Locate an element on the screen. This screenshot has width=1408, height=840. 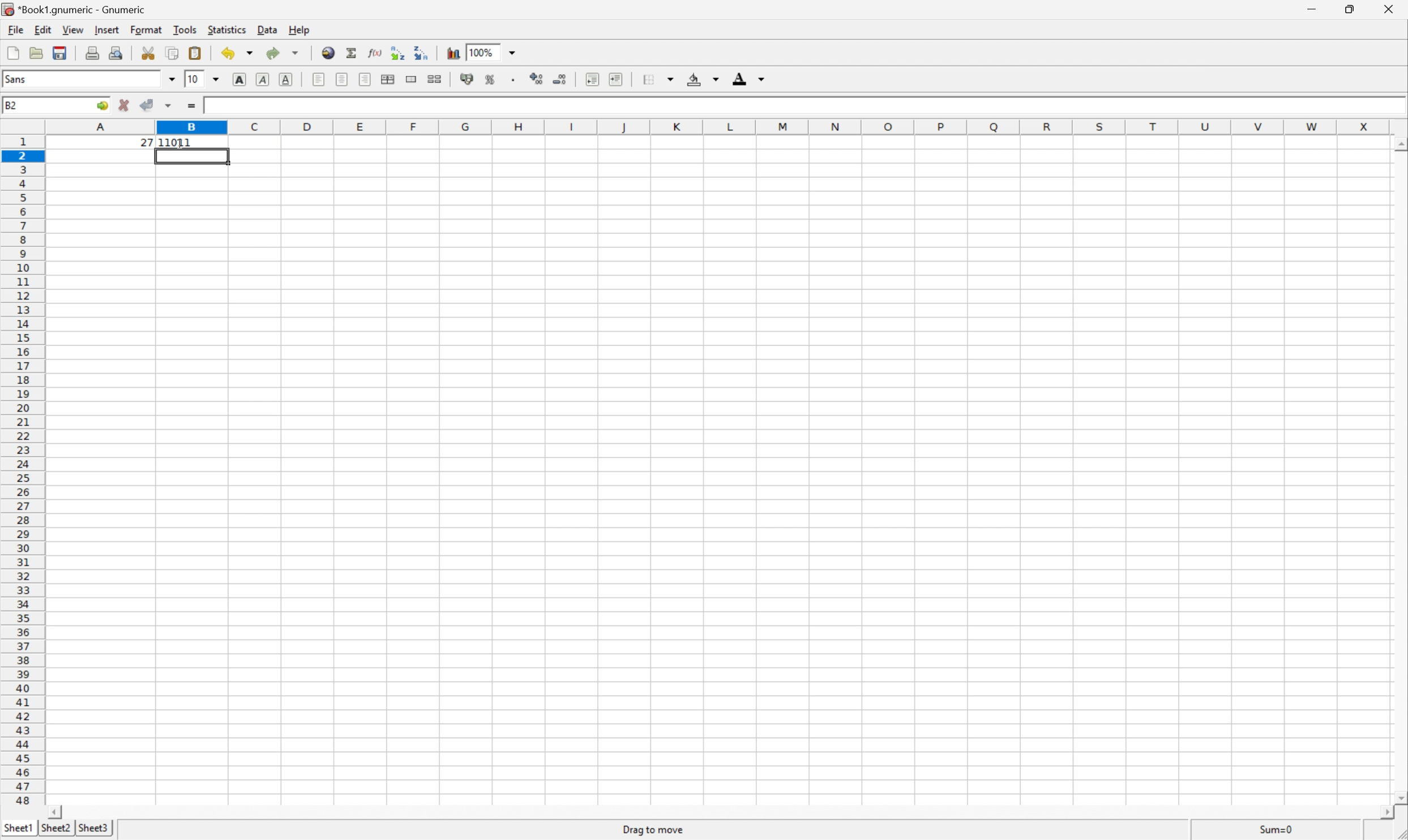
Save current workbook is located at coordinates (61, 53).